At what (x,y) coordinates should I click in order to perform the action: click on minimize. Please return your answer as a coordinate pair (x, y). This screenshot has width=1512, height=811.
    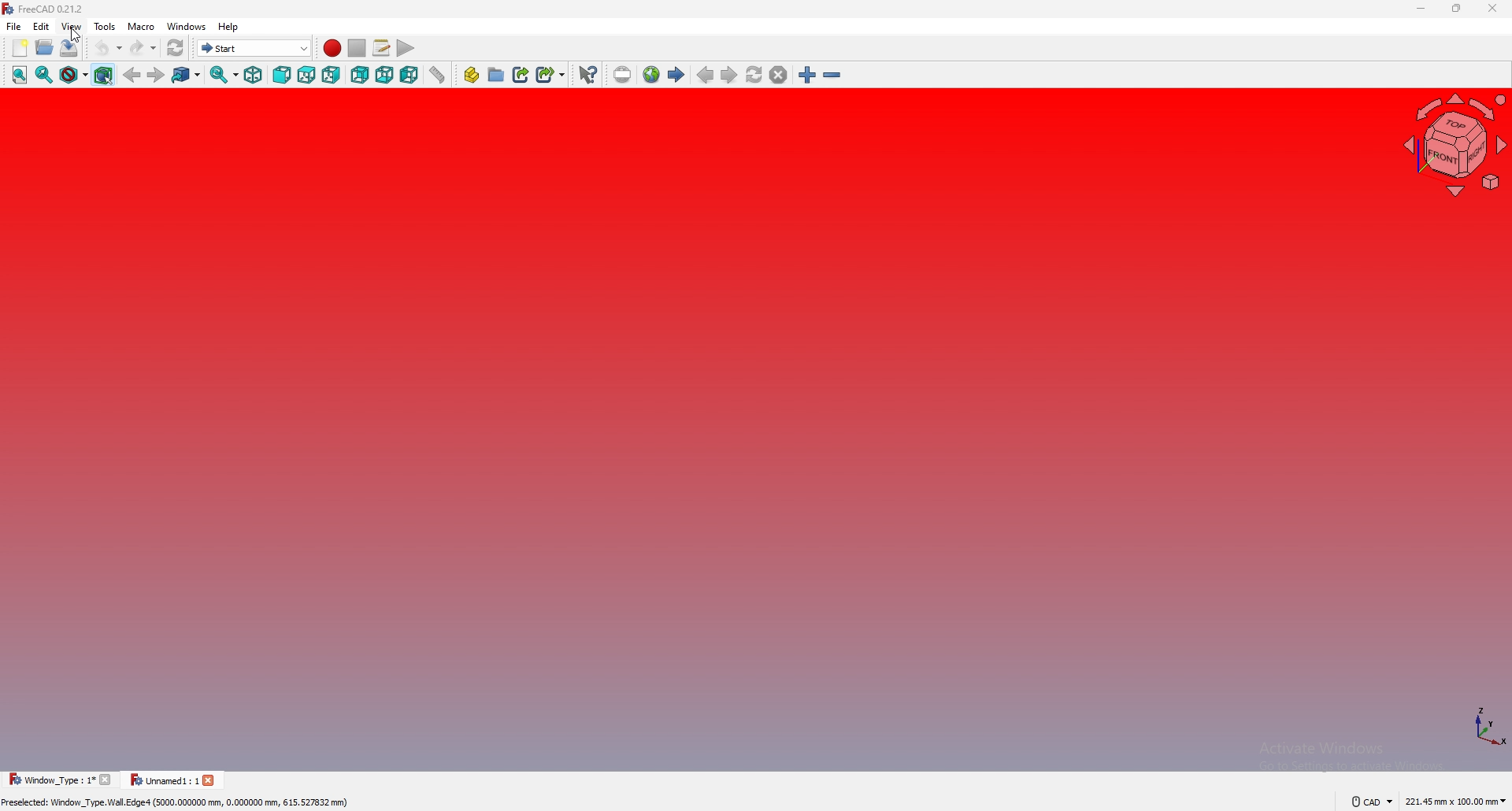
    Looking at the image, I should click on (1420, 9).